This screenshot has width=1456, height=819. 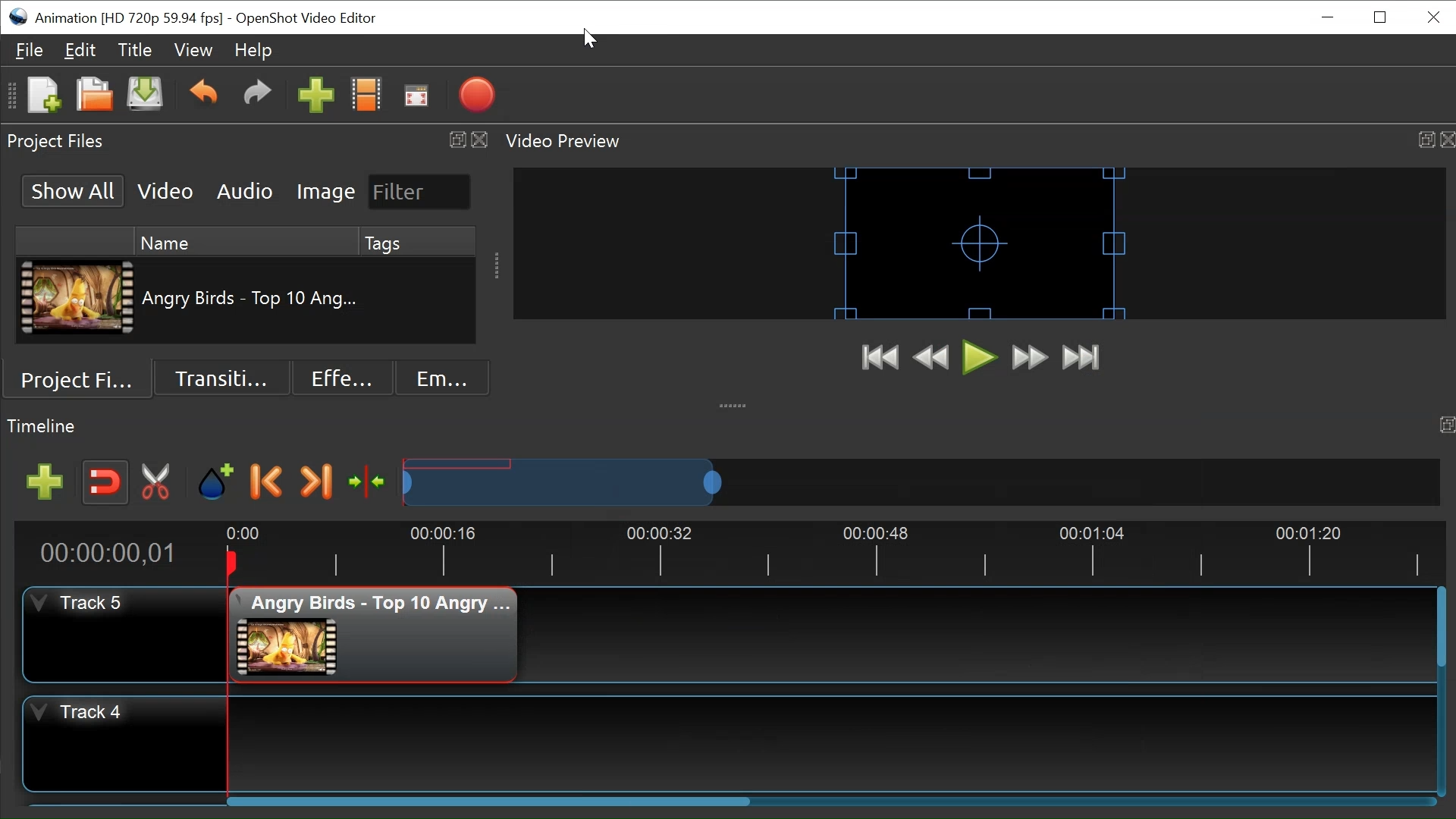 What do you see at coordinates (369, 482) in the screenshot?
I see `Center the timeline on the timeline` at bounding box center [369, 482].